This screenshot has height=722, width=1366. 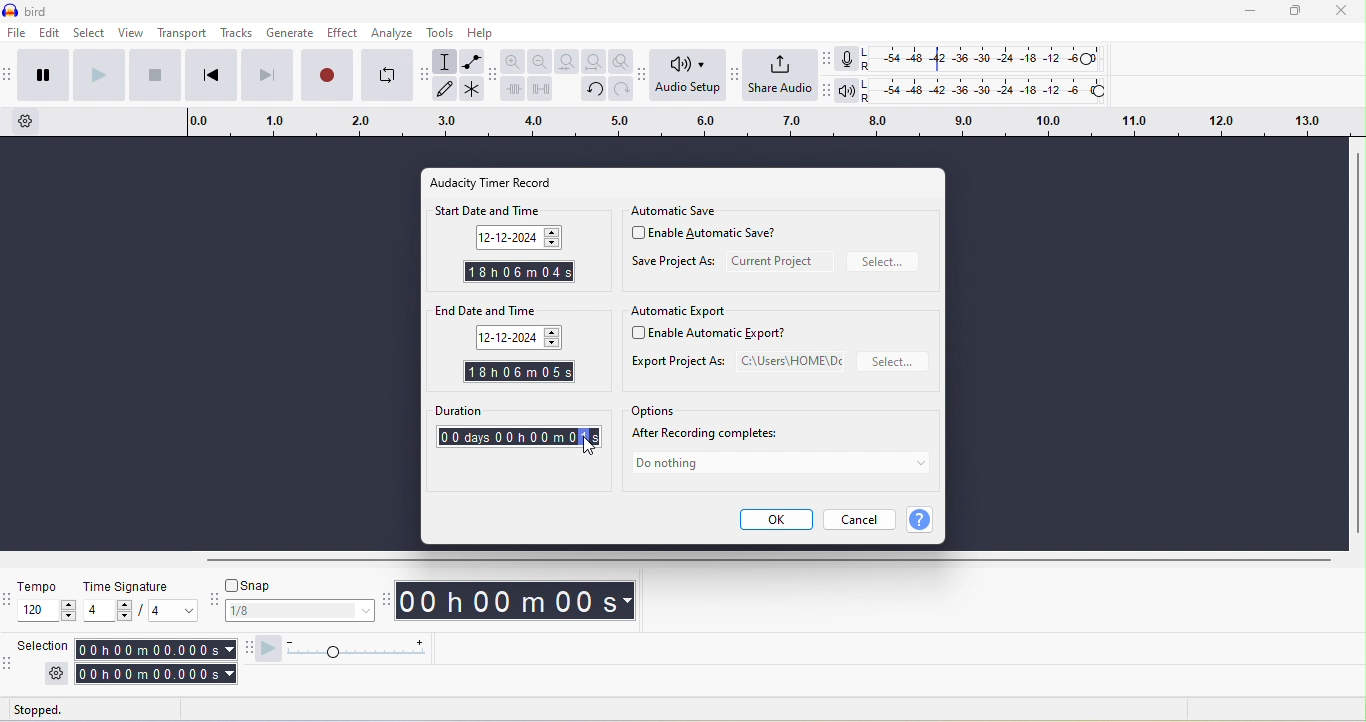 What do you see at coordinates (386, 599) in the screenshot?
I see `audacity time toolbar` at bounding box center [386, 599].